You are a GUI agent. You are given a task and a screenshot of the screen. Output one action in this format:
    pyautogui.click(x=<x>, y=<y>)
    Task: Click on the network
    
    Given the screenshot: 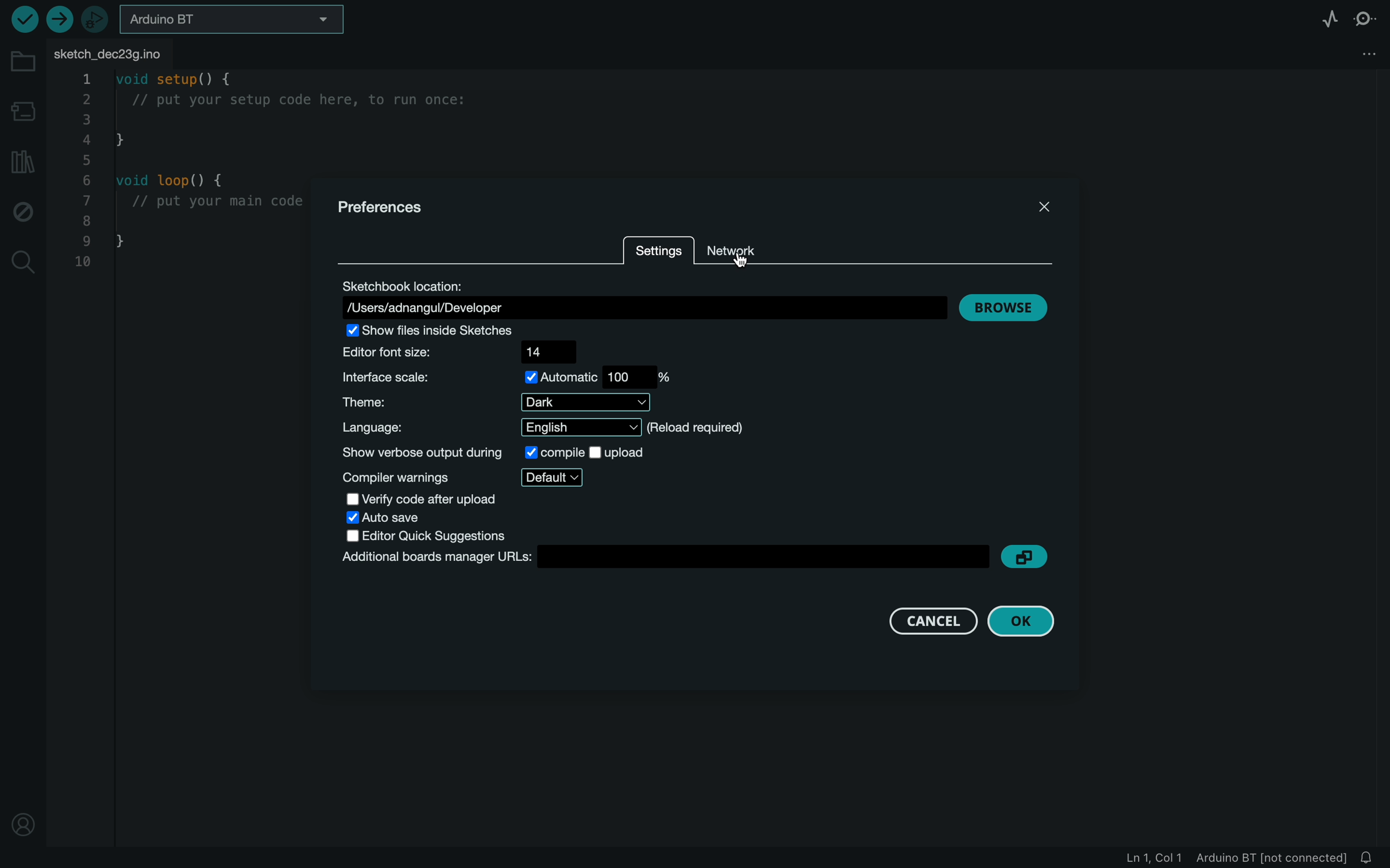 What is the action you would take?
    pyautogui.click(x=735, y=254)
    